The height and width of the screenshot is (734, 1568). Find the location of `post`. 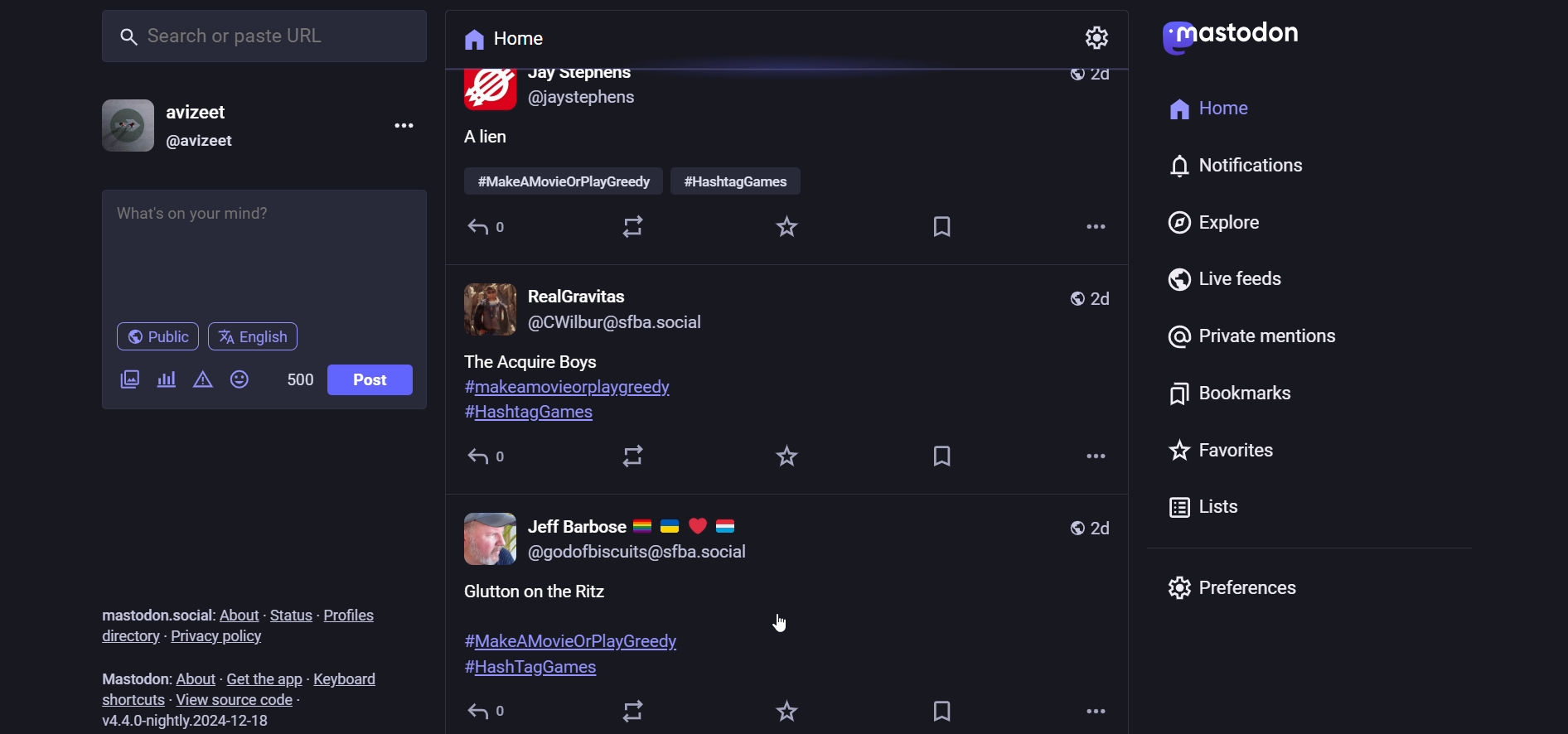

post is located at coordinates (537, 595).